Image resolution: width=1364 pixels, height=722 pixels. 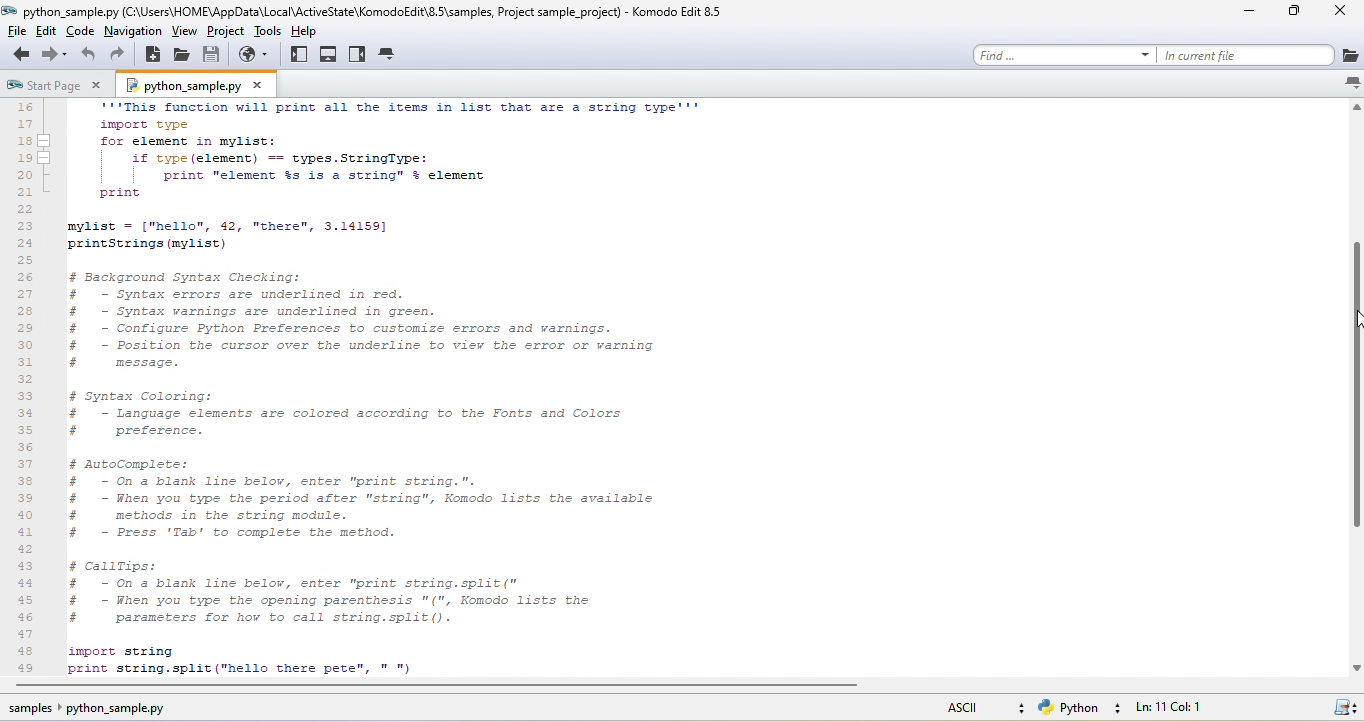 I want to click on syntax checking, so click(x=1344, y=705).